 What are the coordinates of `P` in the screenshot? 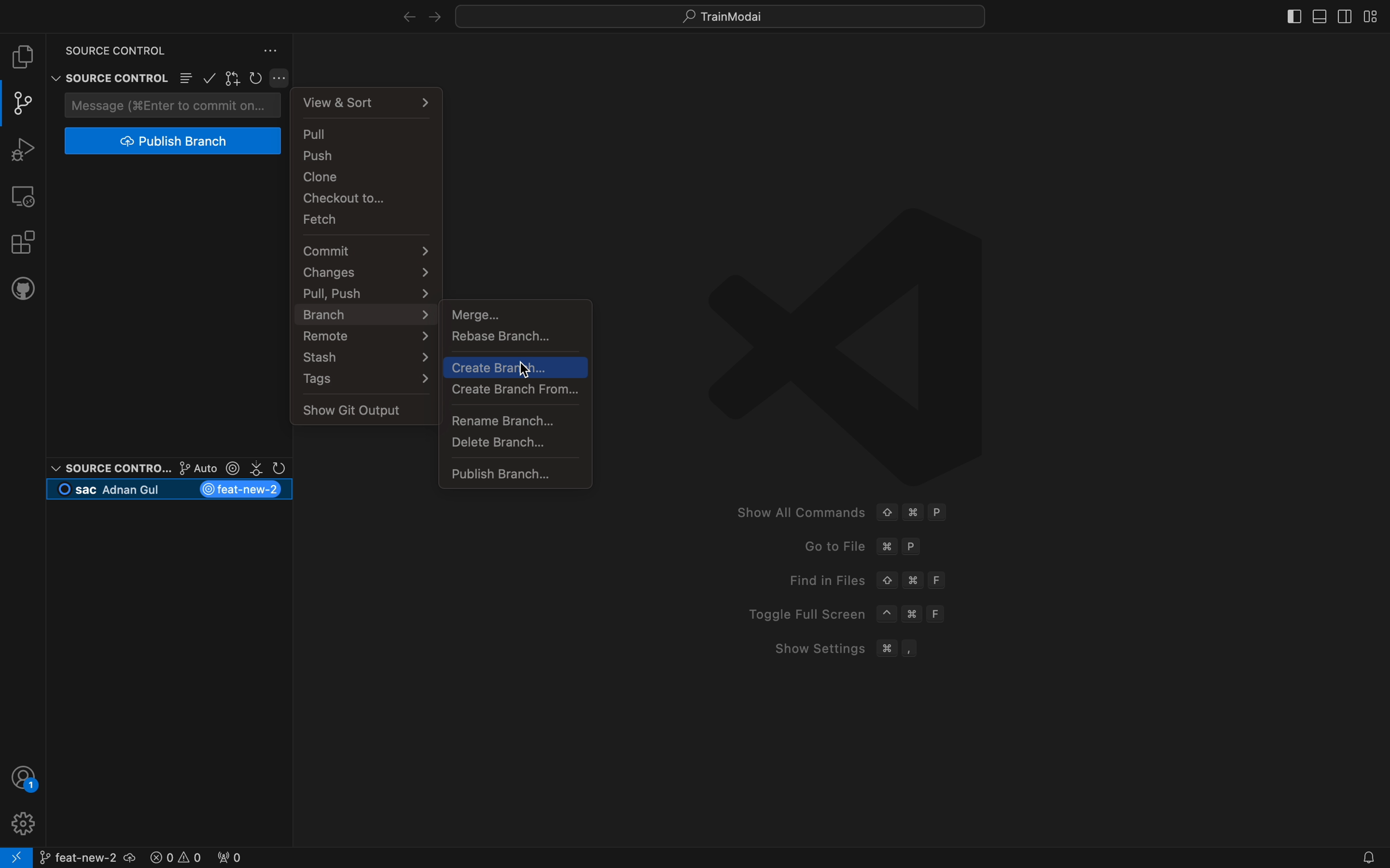 It's located at (940, 513).